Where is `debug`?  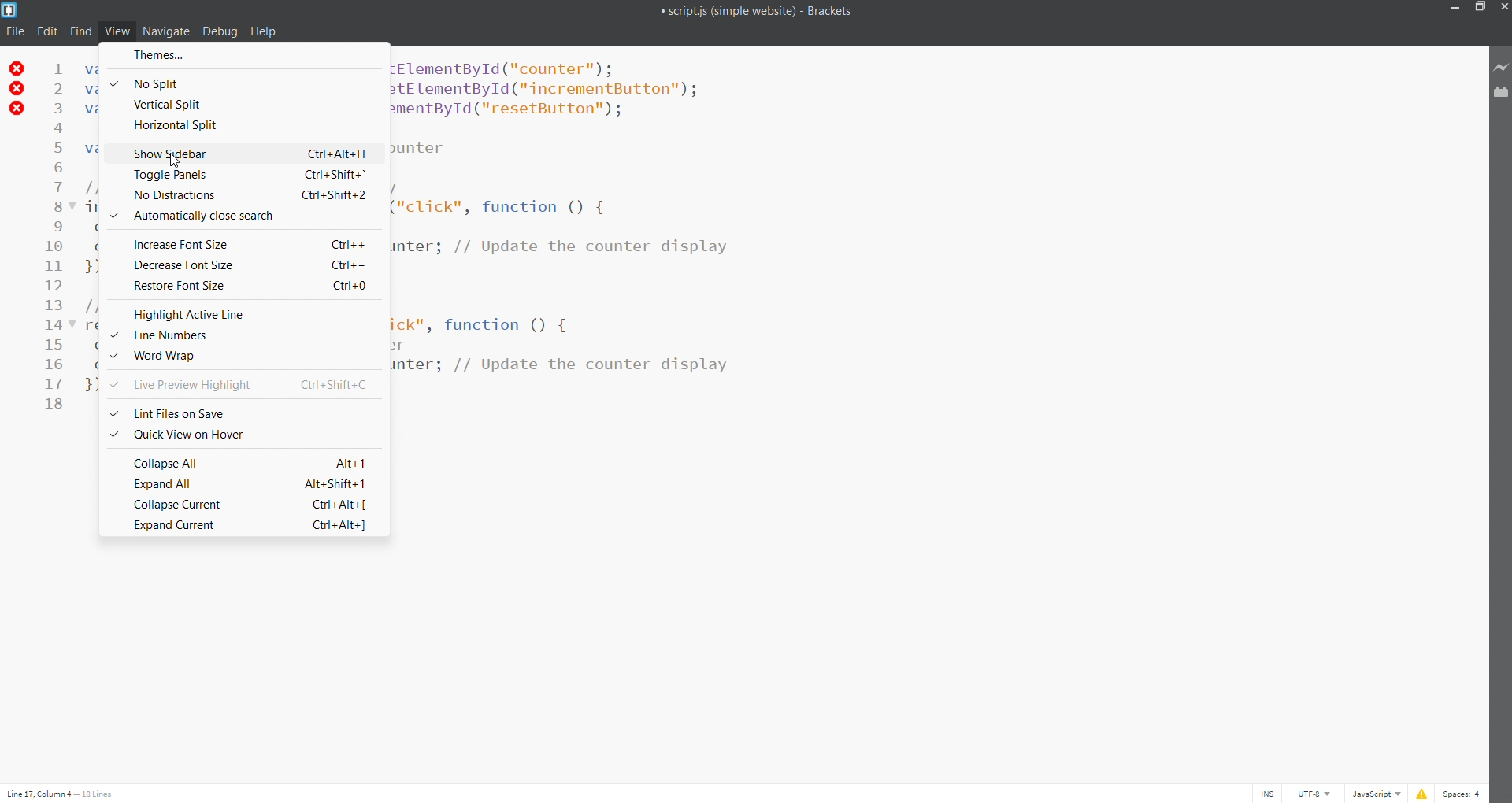 debug is located at coordinates (220, 31).